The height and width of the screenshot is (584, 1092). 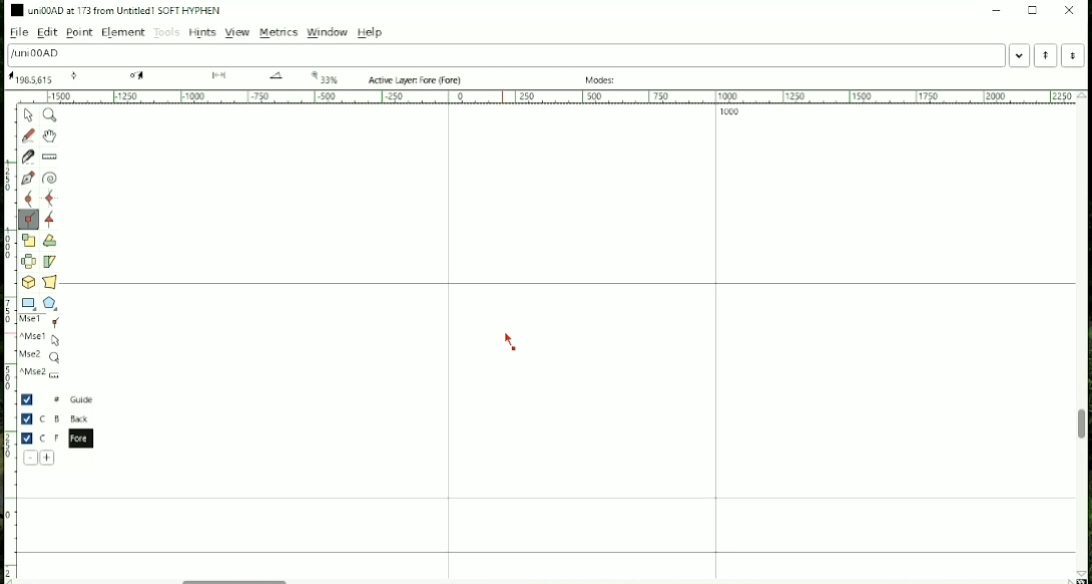 What do you see at coordinates (417, 80) in the screenshot?
I see `Active Layer` at bounding box center [417, 80].